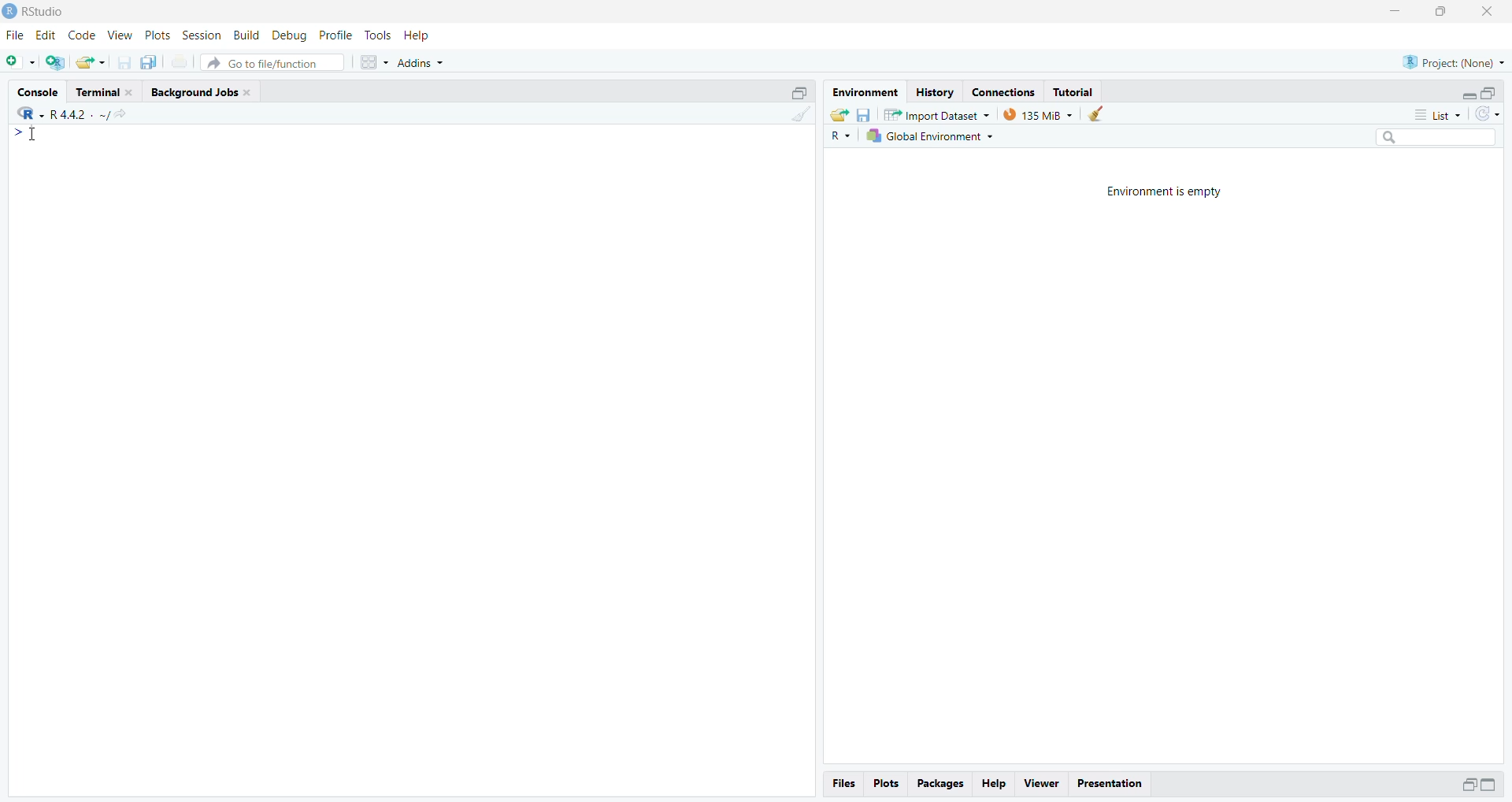 Image resolution: width=1512 pixels, height=802 pixels. I want to click on Clear console (Ctrl +L), so click(1096, 114).